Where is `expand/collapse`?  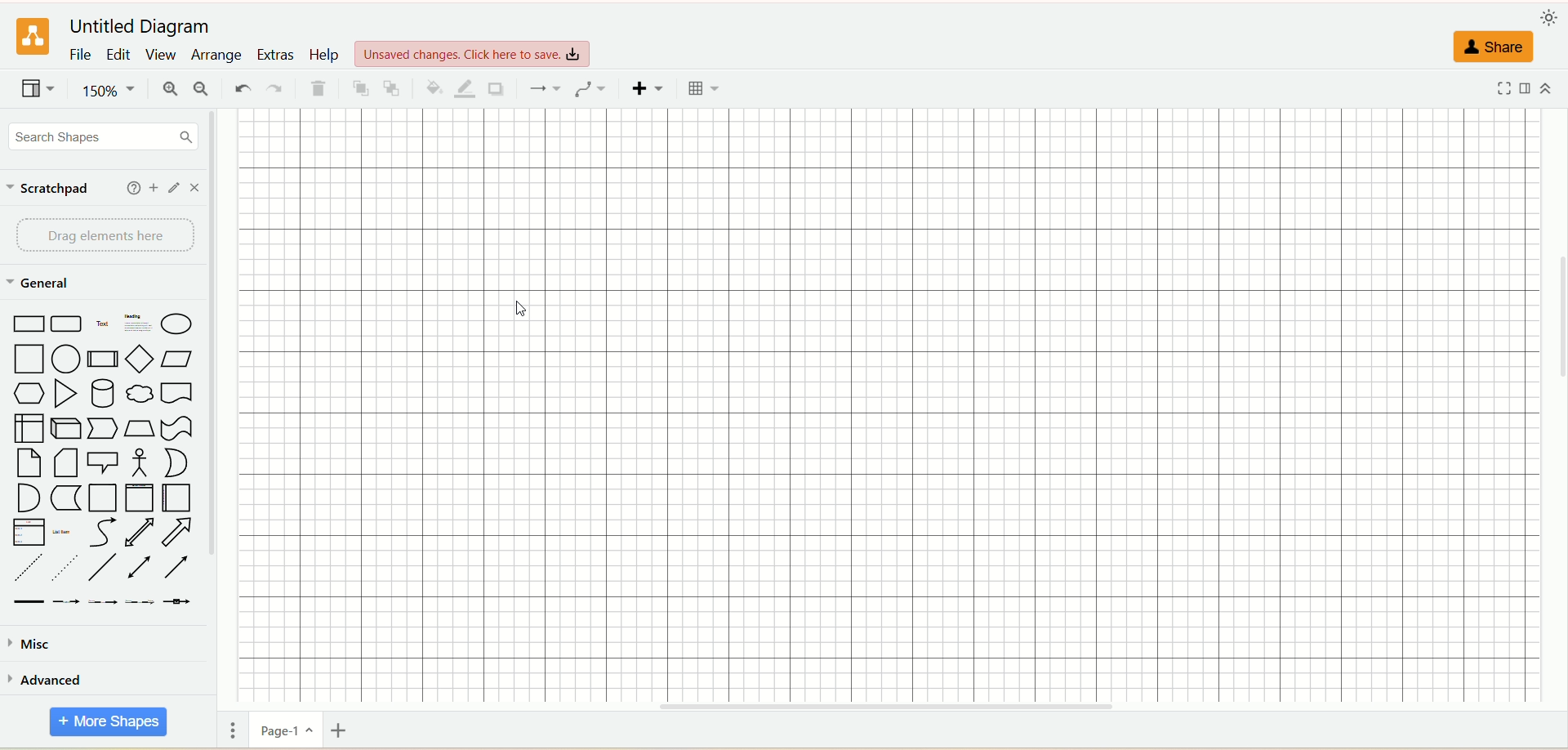
expand/collapse is located at coordinates (1549, 86).